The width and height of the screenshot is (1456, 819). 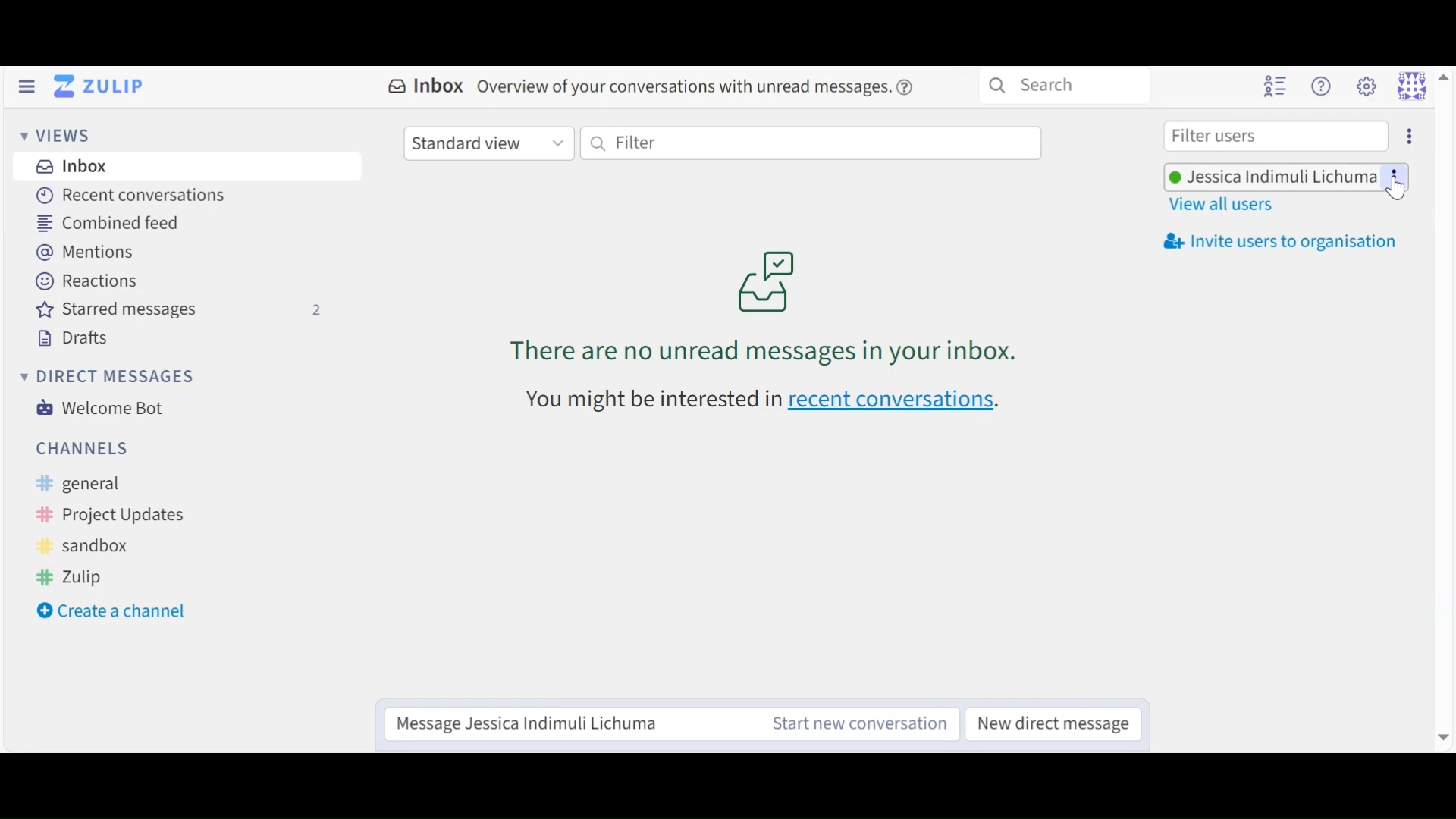 I want to click on Drafts, so click(x=74, y=338).